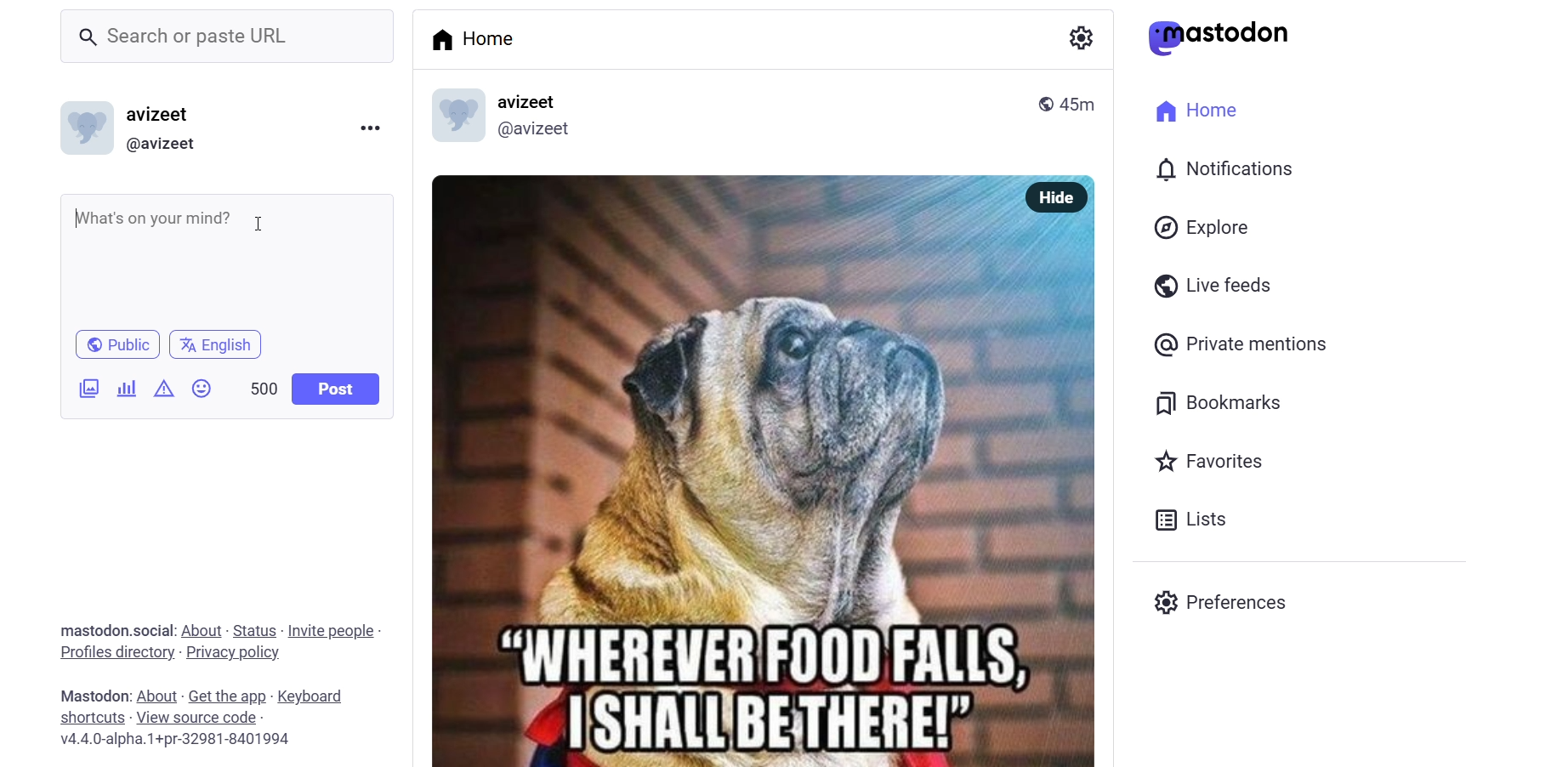 The height and width of the screenshot is (767, 1568). What do you see at coordinates (219, 642) in the screenshot?
I see `mastodon.social: About - Status - Invite people -
Profiles directory - Privacy policy` at bounding box center [219, 642].